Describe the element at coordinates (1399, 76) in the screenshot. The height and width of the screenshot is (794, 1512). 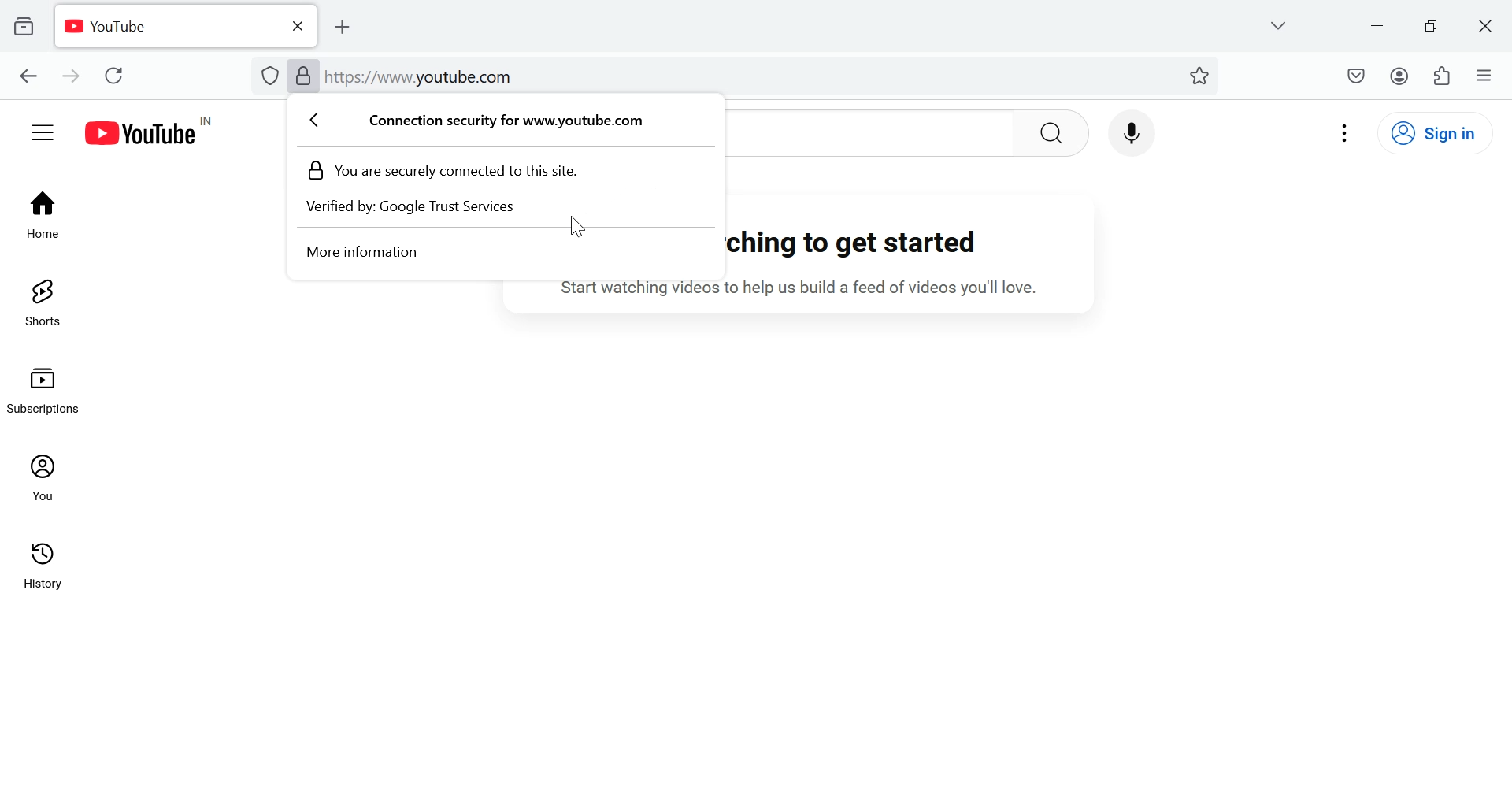
I see `Account` at that location.